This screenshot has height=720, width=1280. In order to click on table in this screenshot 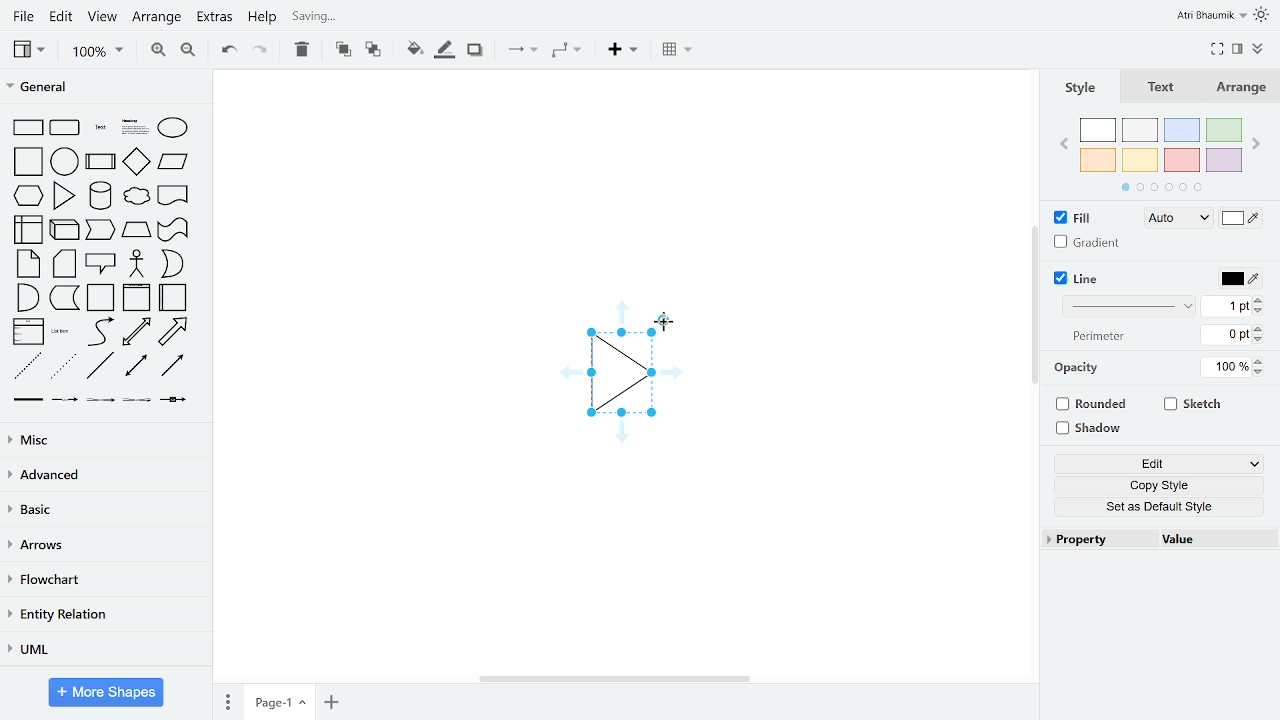, I will do `click(678, 51)`.